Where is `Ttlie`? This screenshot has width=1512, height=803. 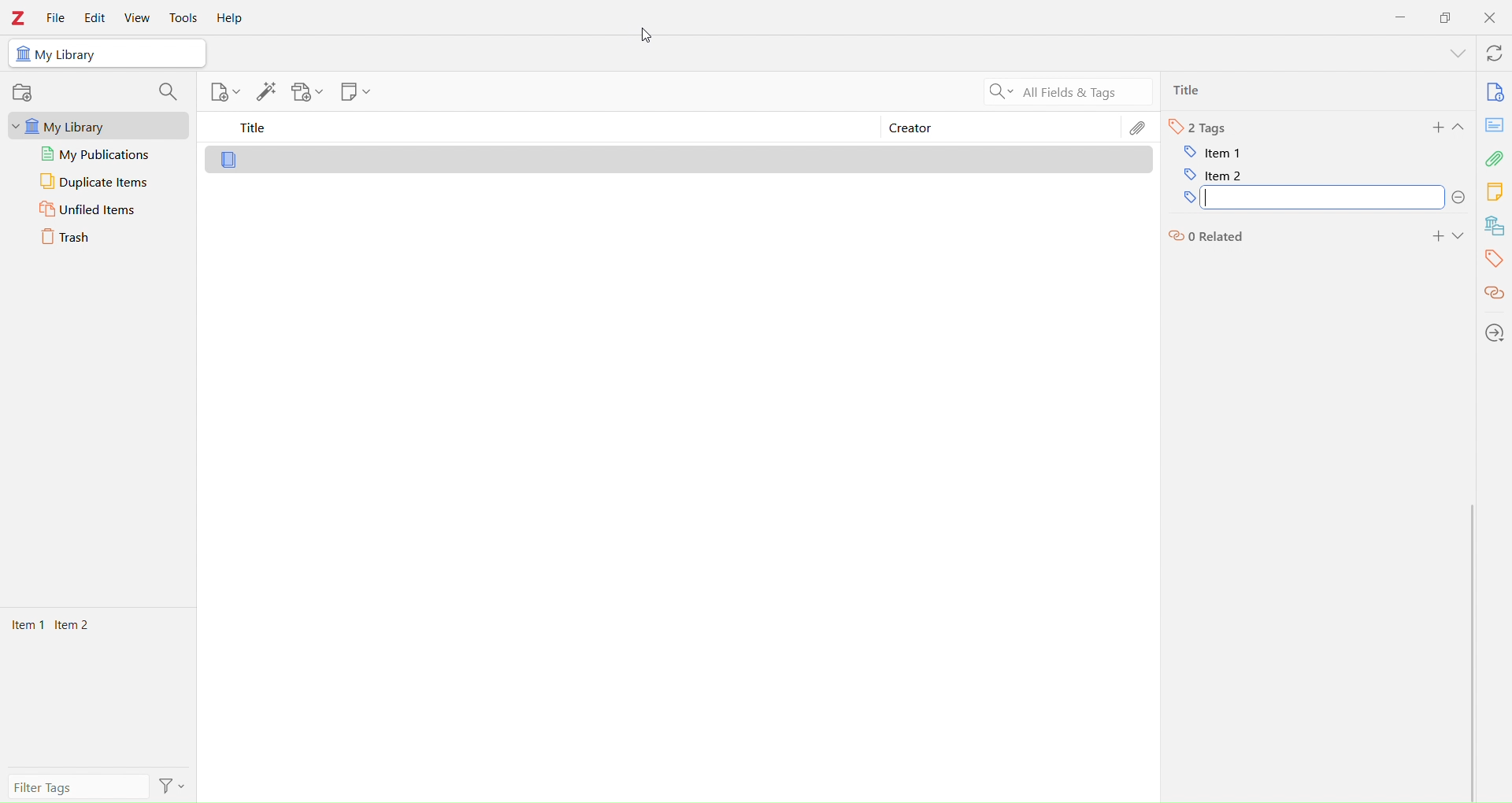 Ttlie is located at coordinates (1191, 90).